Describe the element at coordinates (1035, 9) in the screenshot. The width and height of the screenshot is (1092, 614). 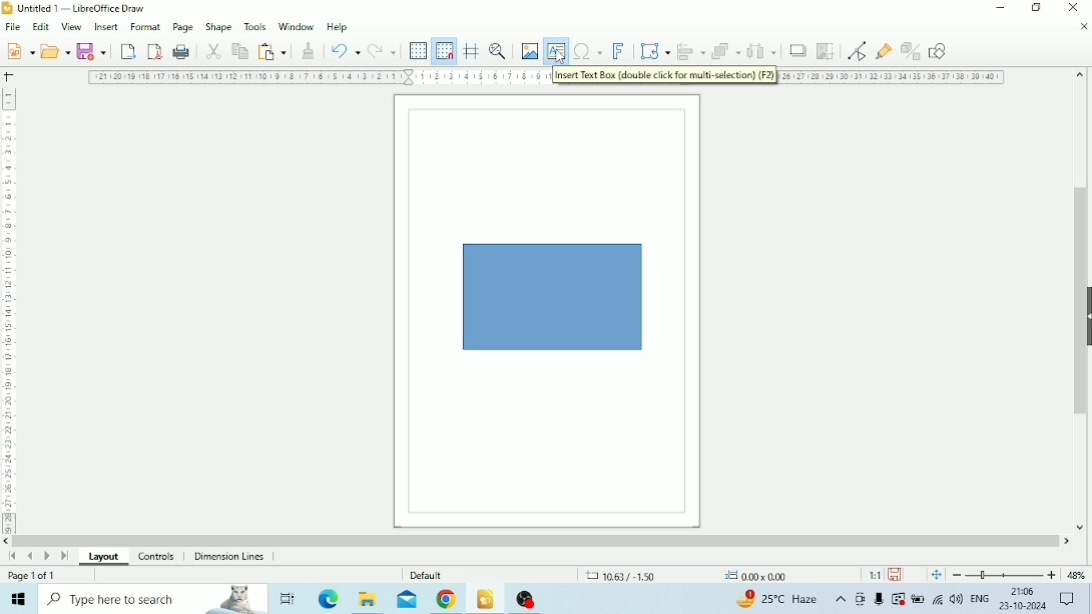
I see `Restore Down` at that location.